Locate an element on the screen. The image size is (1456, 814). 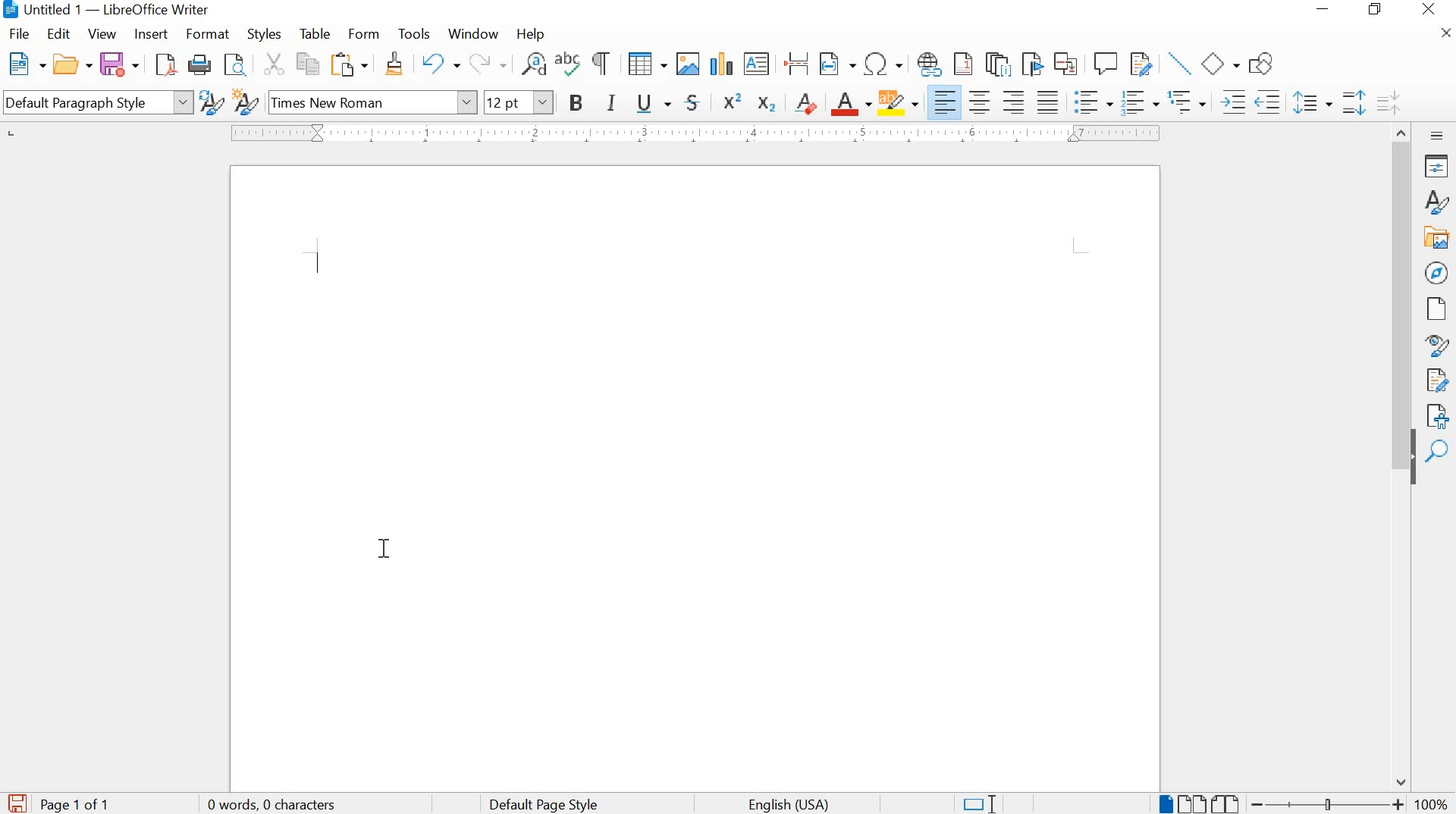
SIDEBAR SETTINGS is located at coordinates (1437, 136).